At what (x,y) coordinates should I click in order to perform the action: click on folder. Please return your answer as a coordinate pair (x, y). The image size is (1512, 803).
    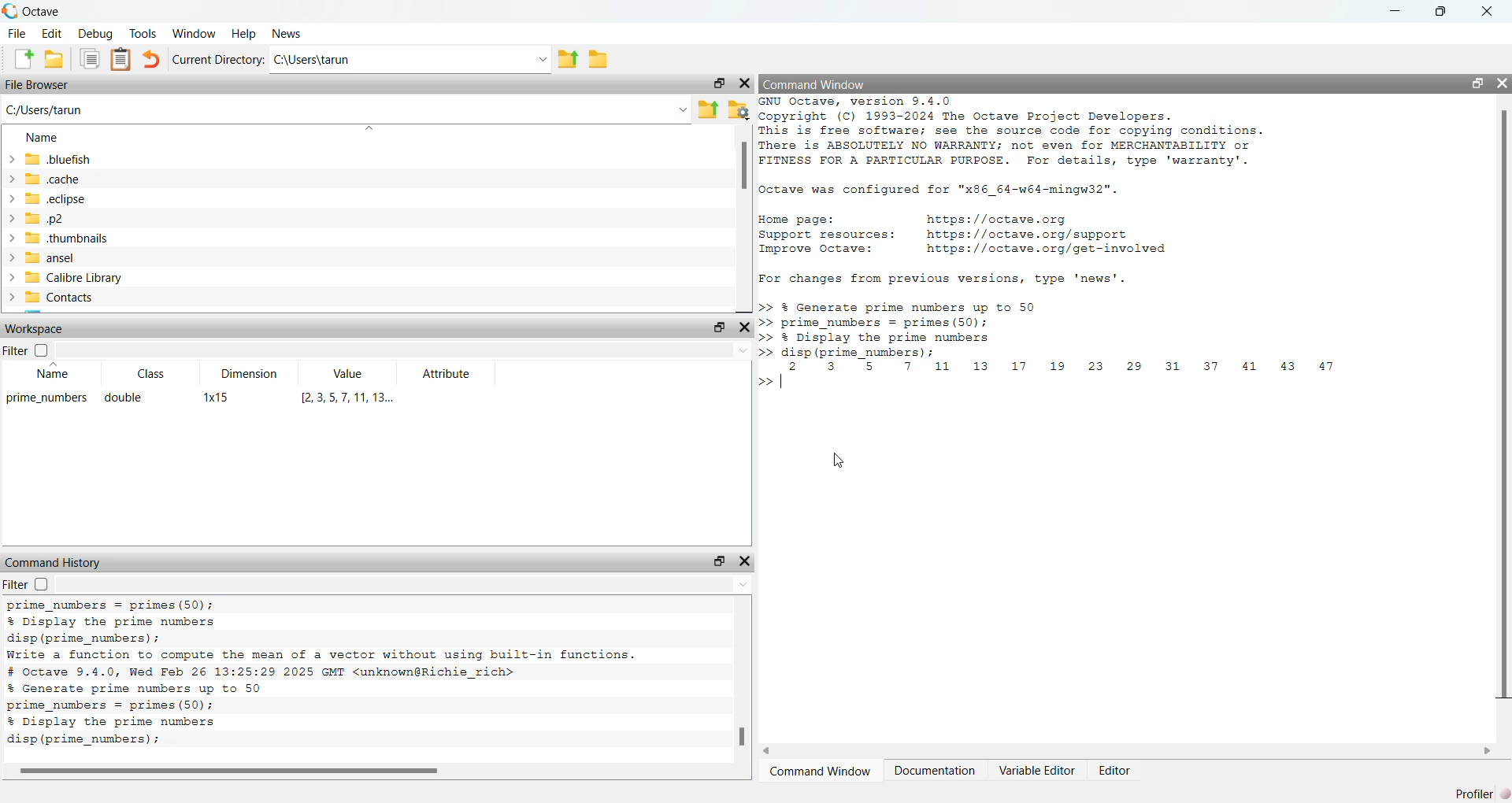
    Looking at the image, I should click on (598, 60).